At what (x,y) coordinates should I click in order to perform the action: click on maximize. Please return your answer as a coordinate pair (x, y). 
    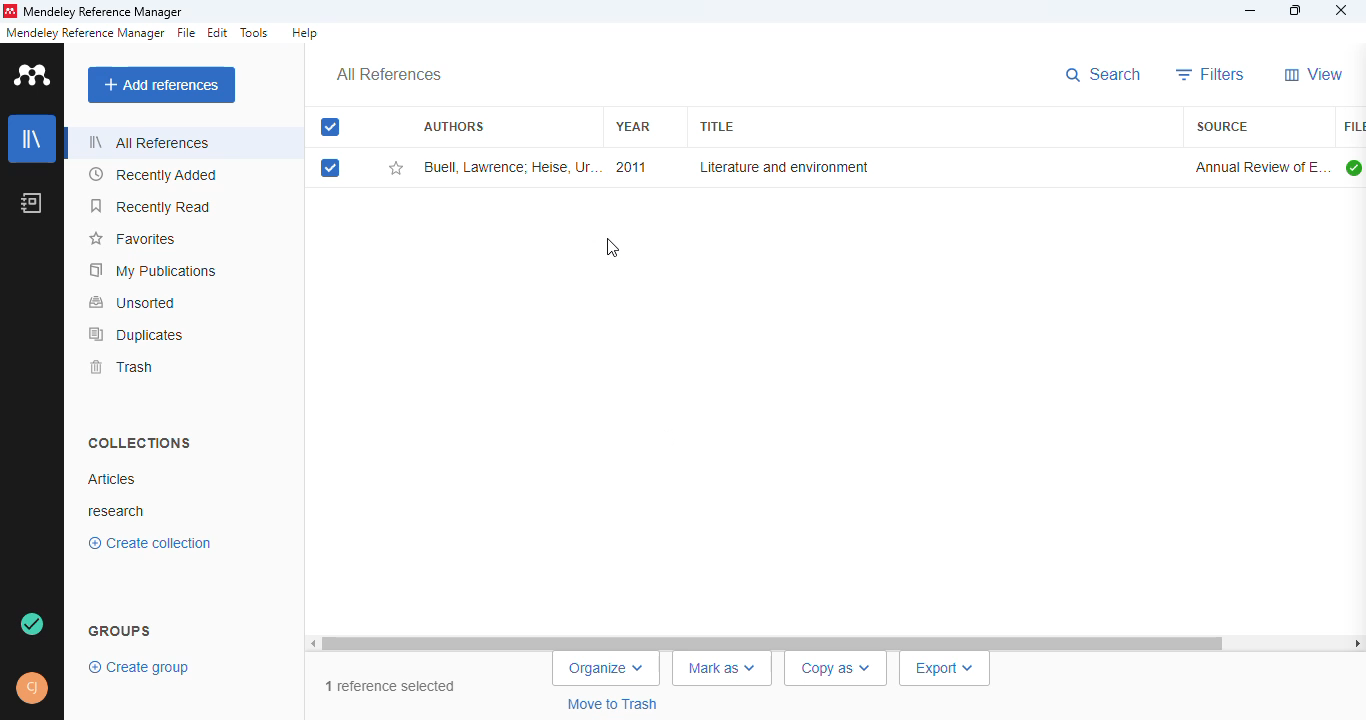
    Looking at the image, I should click on (1297, 10).